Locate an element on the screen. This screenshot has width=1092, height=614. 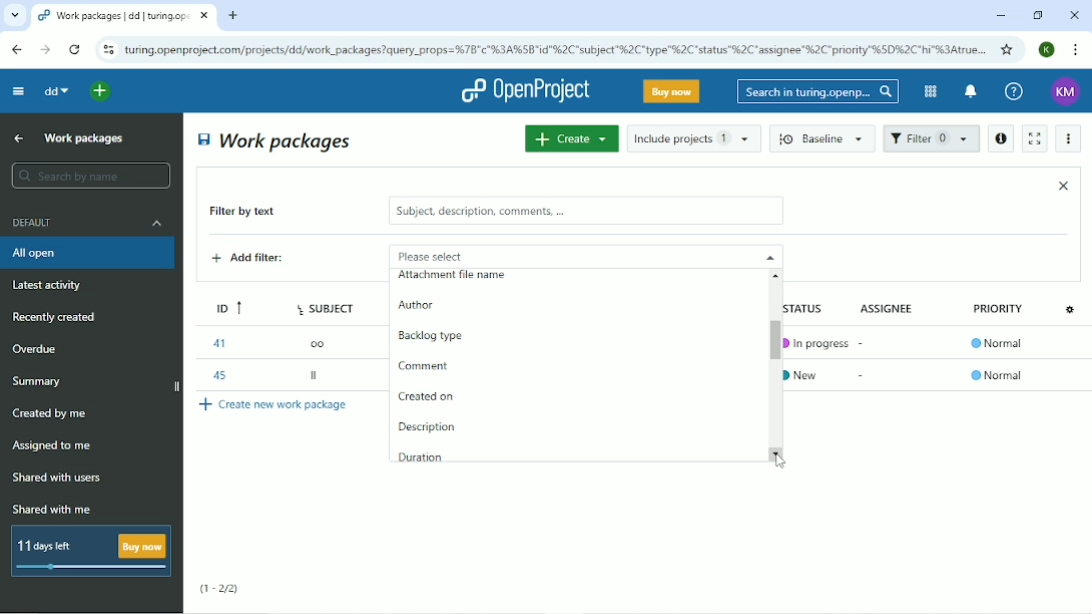
Restore down is located at coordinates (1037, 15).